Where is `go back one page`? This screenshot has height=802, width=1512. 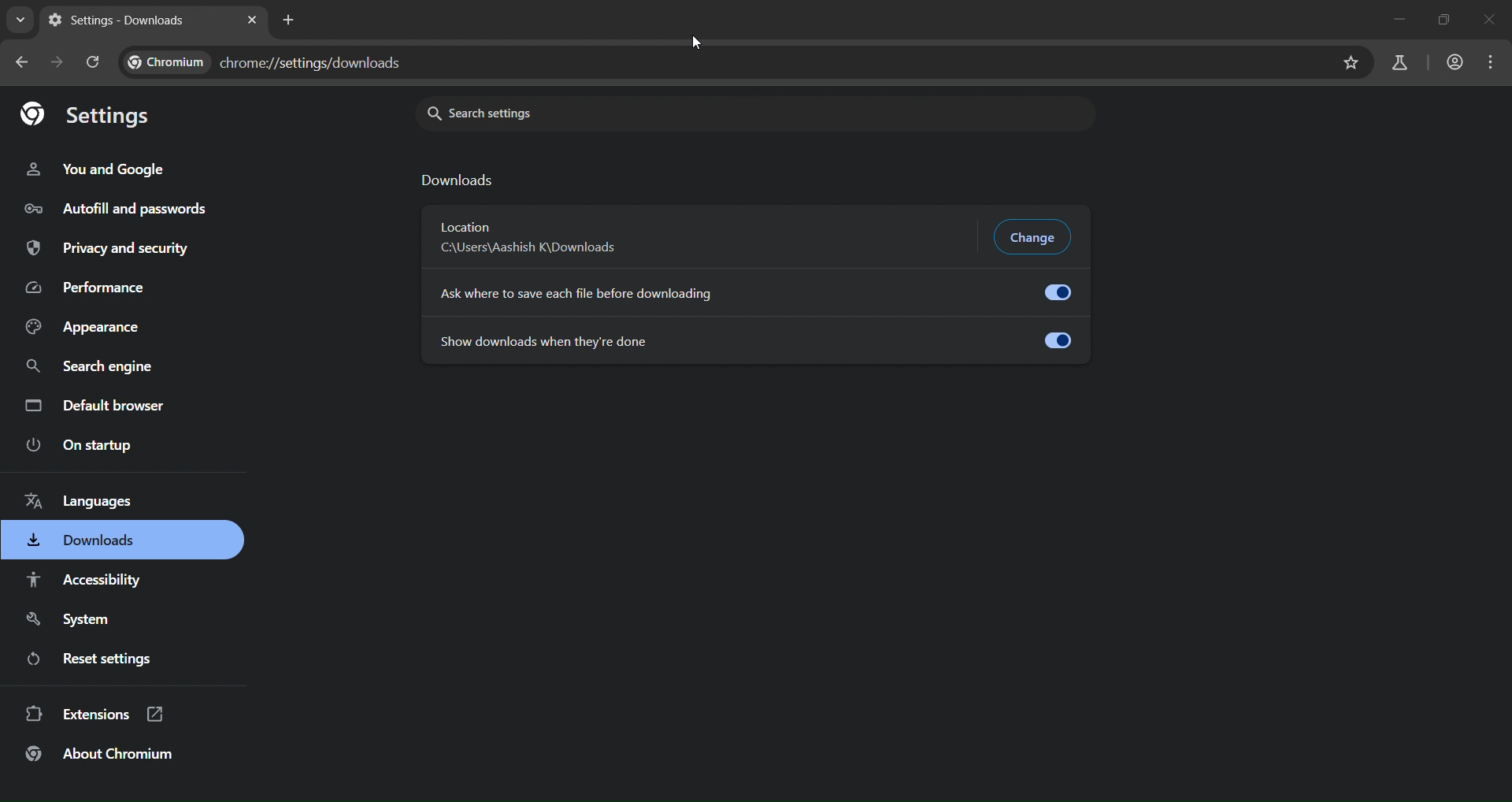
go back one page is located at coordinates (22, 66).